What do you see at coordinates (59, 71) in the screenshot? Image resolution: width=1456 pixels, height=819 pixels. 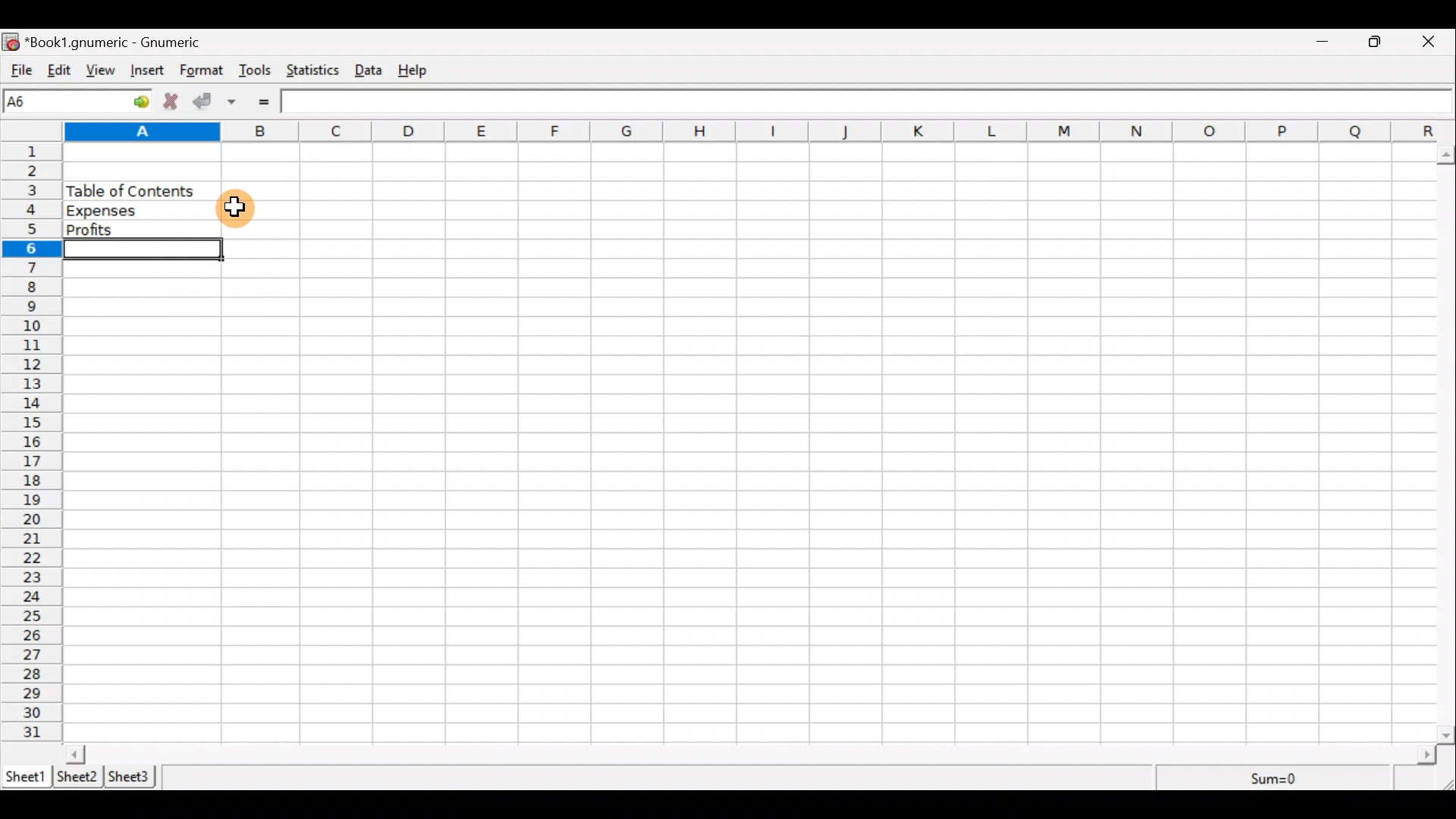 I see `Edit` at bounding box center [59, 71].